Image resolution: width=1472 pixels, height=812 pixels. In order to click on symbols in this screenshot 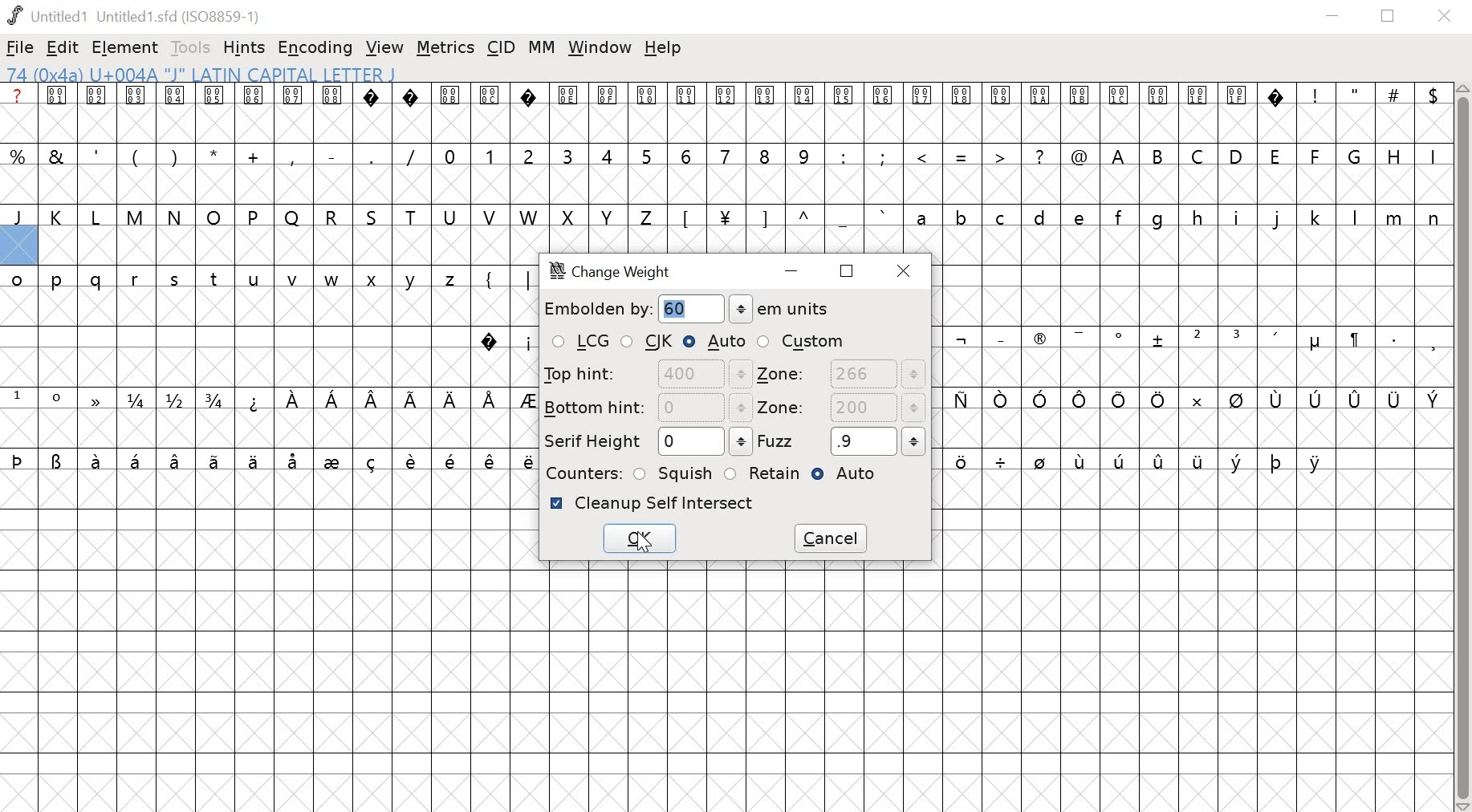, I will do `click(1140, 464)`.